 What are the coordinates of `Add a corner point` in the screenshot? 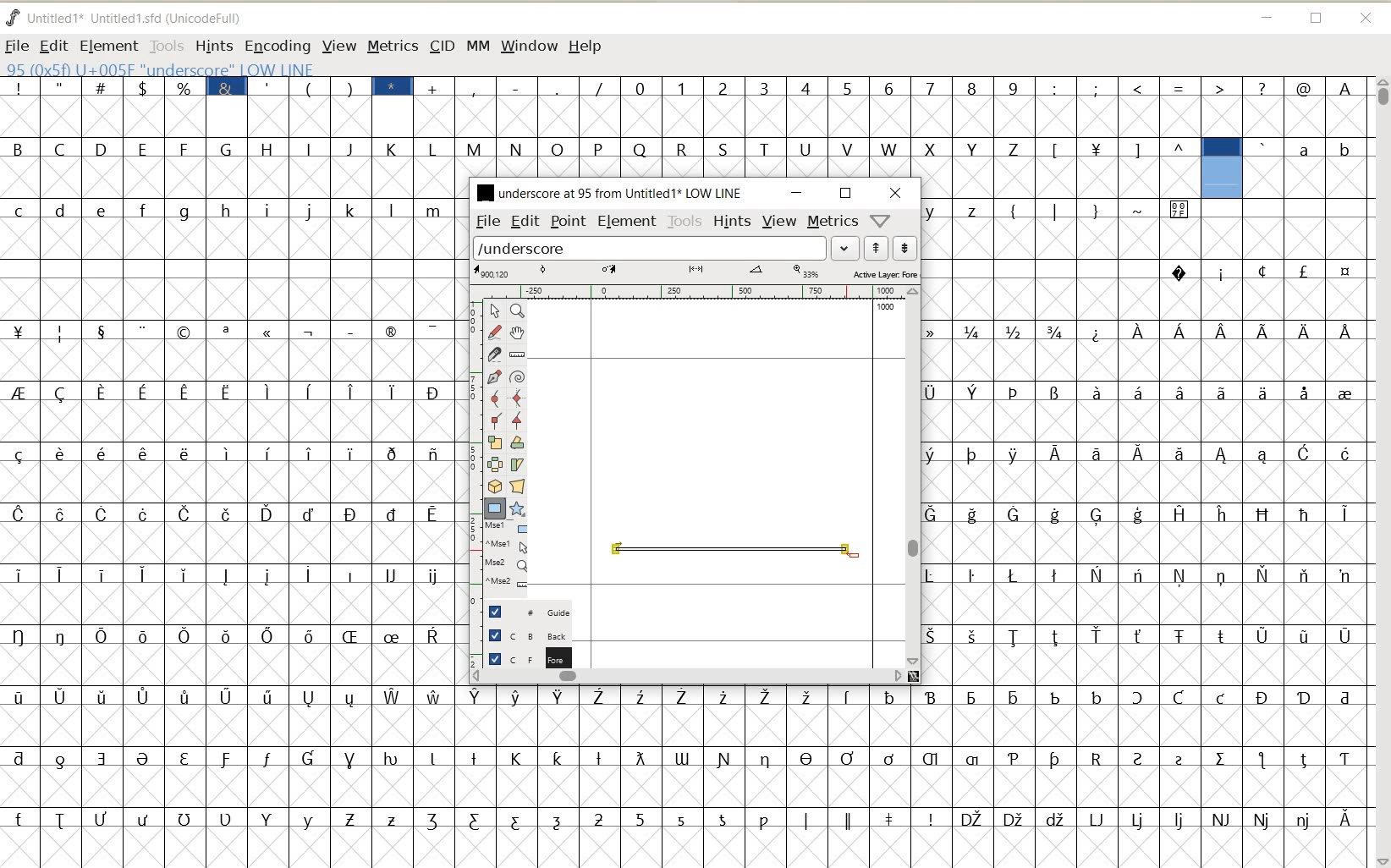 It's located at (518, 420).